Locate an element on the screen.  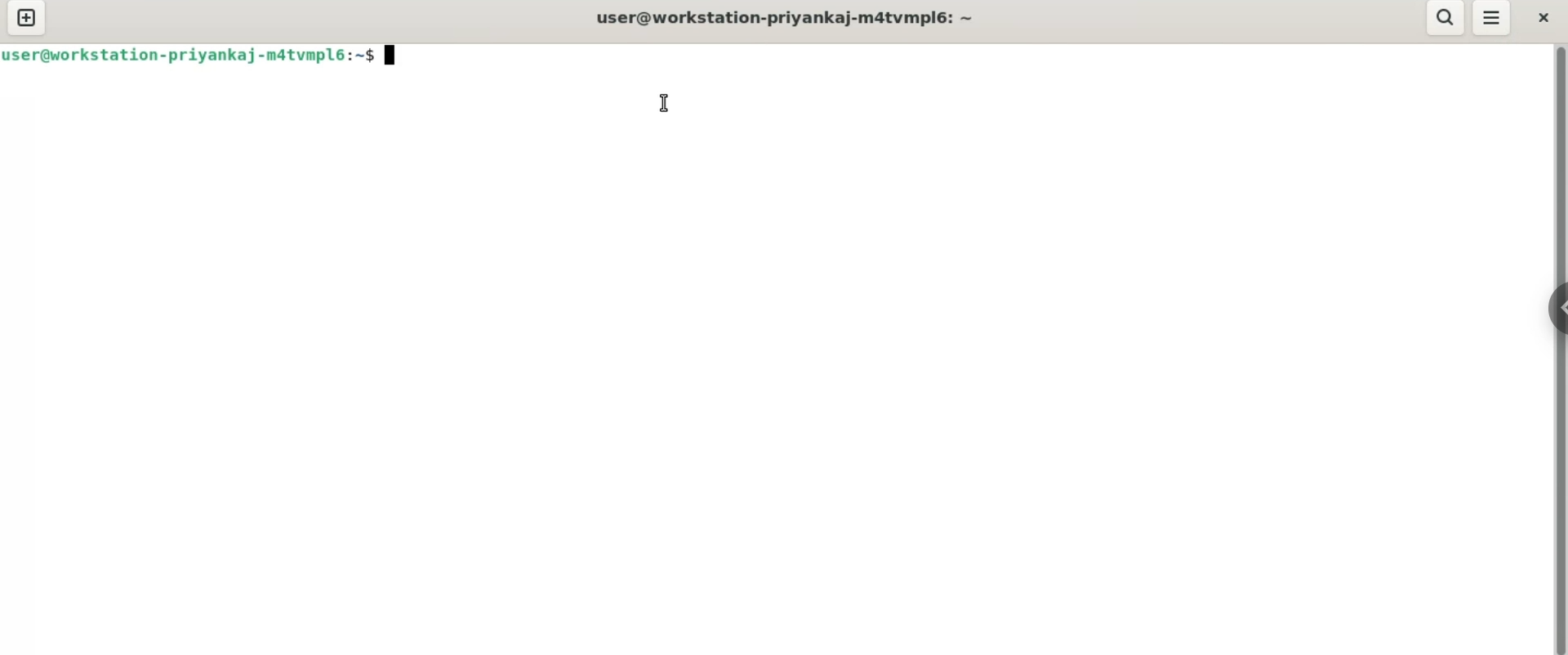
verical scroll bar is located at coordinates (1560, 348).